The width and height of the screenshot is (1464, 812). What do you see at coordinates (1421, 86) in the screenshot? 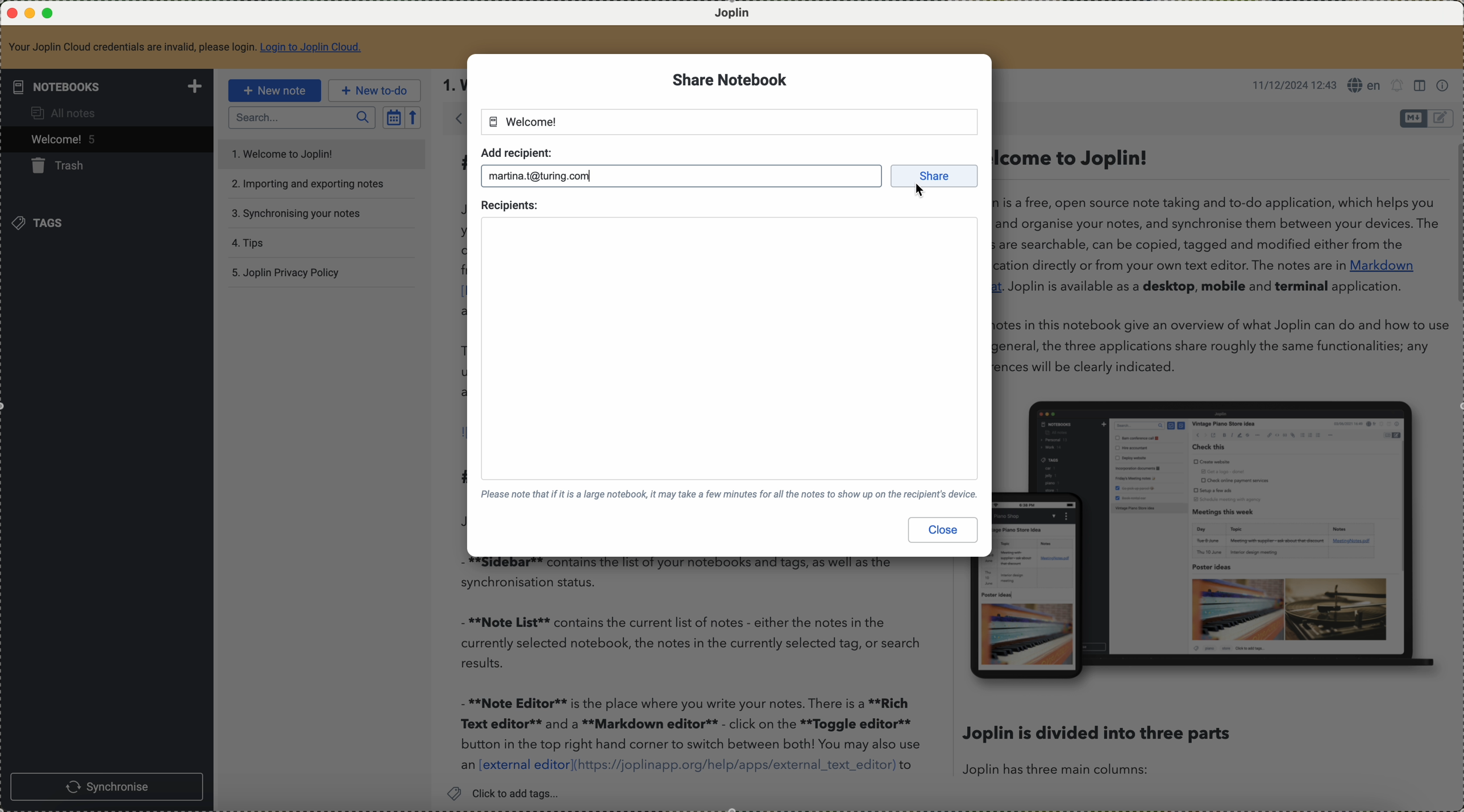
I see `toggle editor layouts` at bounding box center [1421, 86].